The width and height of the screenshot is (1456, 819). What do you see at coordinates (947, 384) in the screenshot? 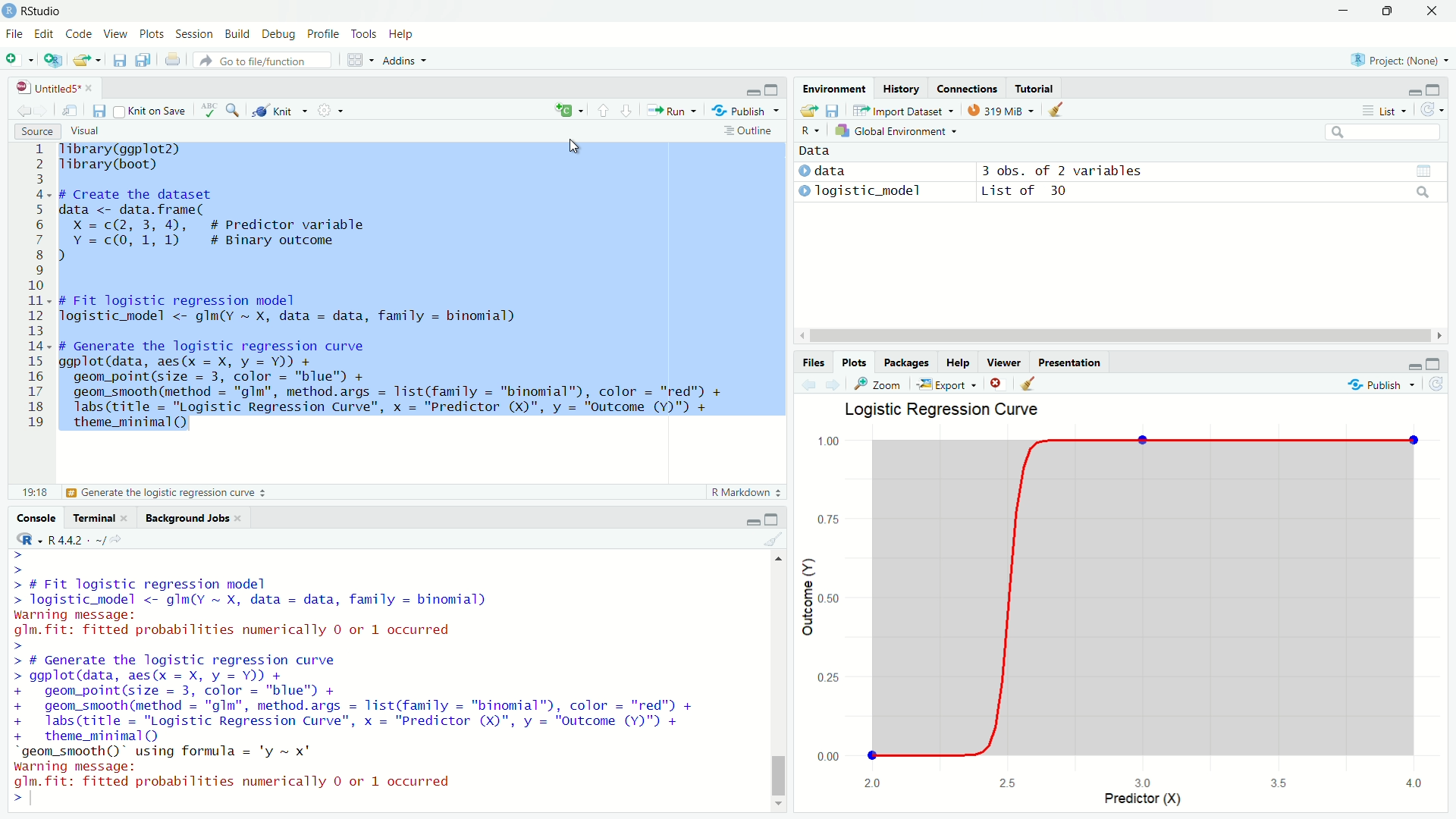
I see `Export` at bounding box center [947, 384].